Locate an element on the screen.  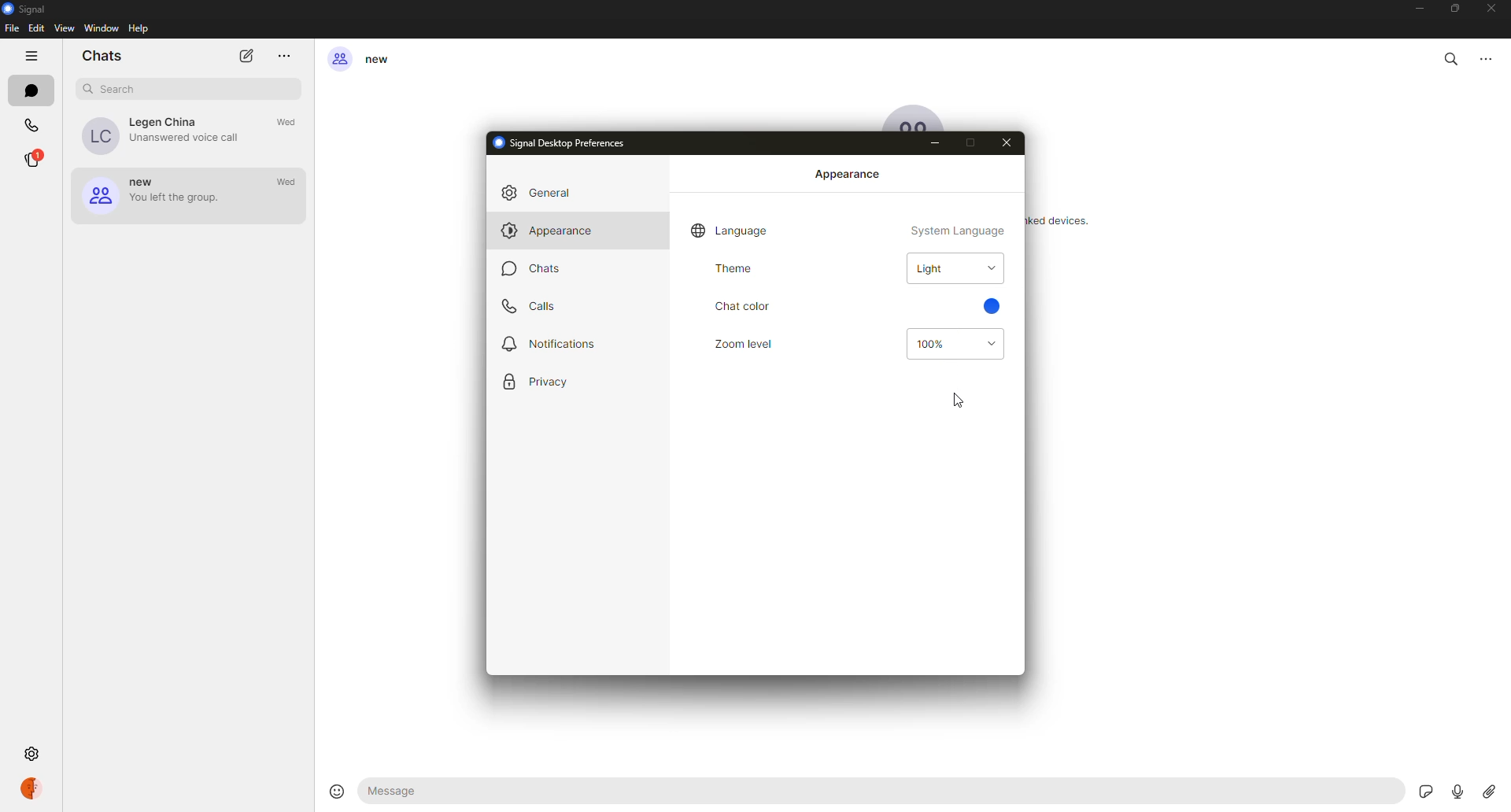
stories is located at coordinates (35, 159).